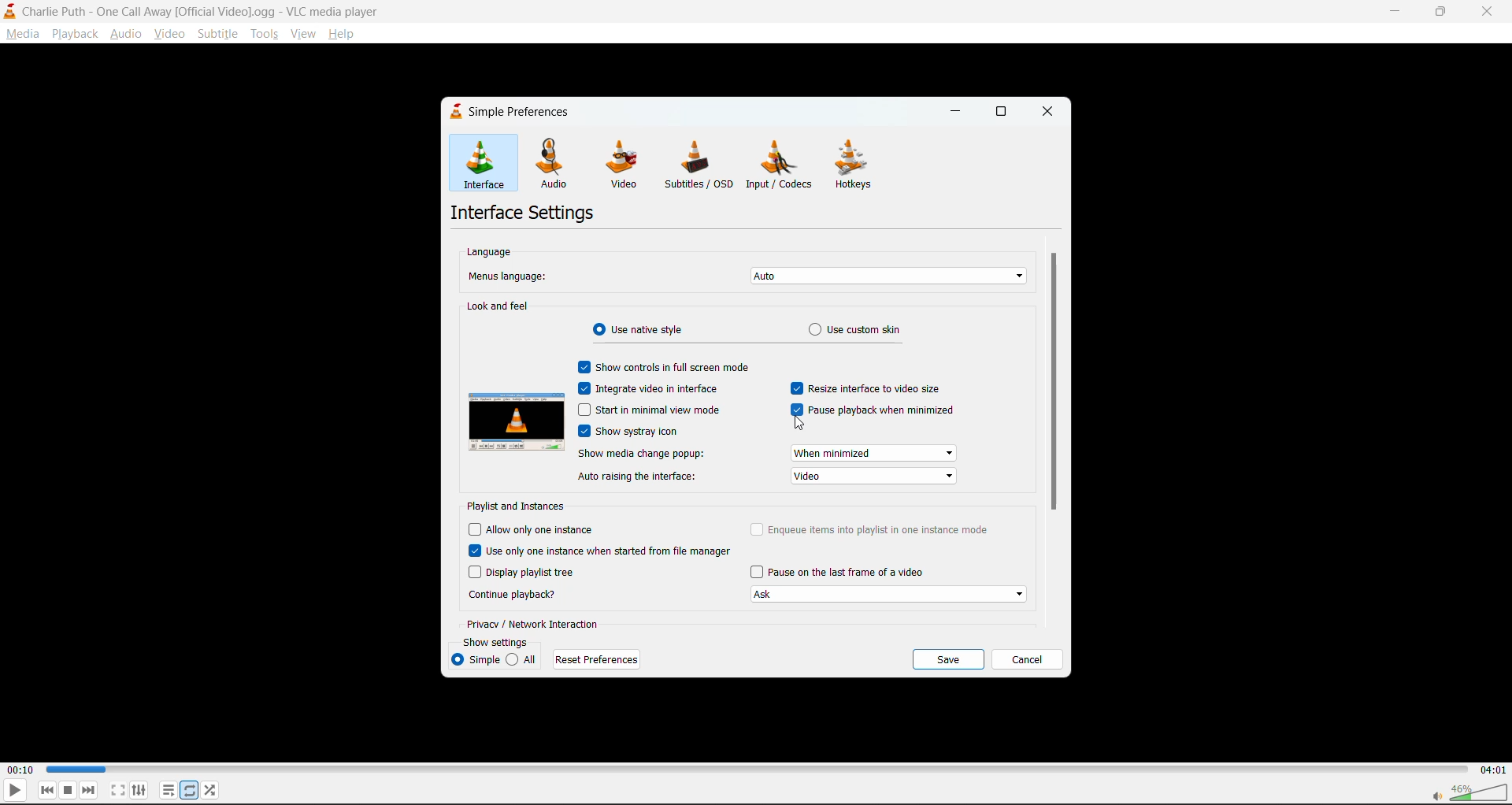 The image size is (1512, 805). Describe the element at coordinates (510, 274) in the screenshot. I see `menus language` at that location.